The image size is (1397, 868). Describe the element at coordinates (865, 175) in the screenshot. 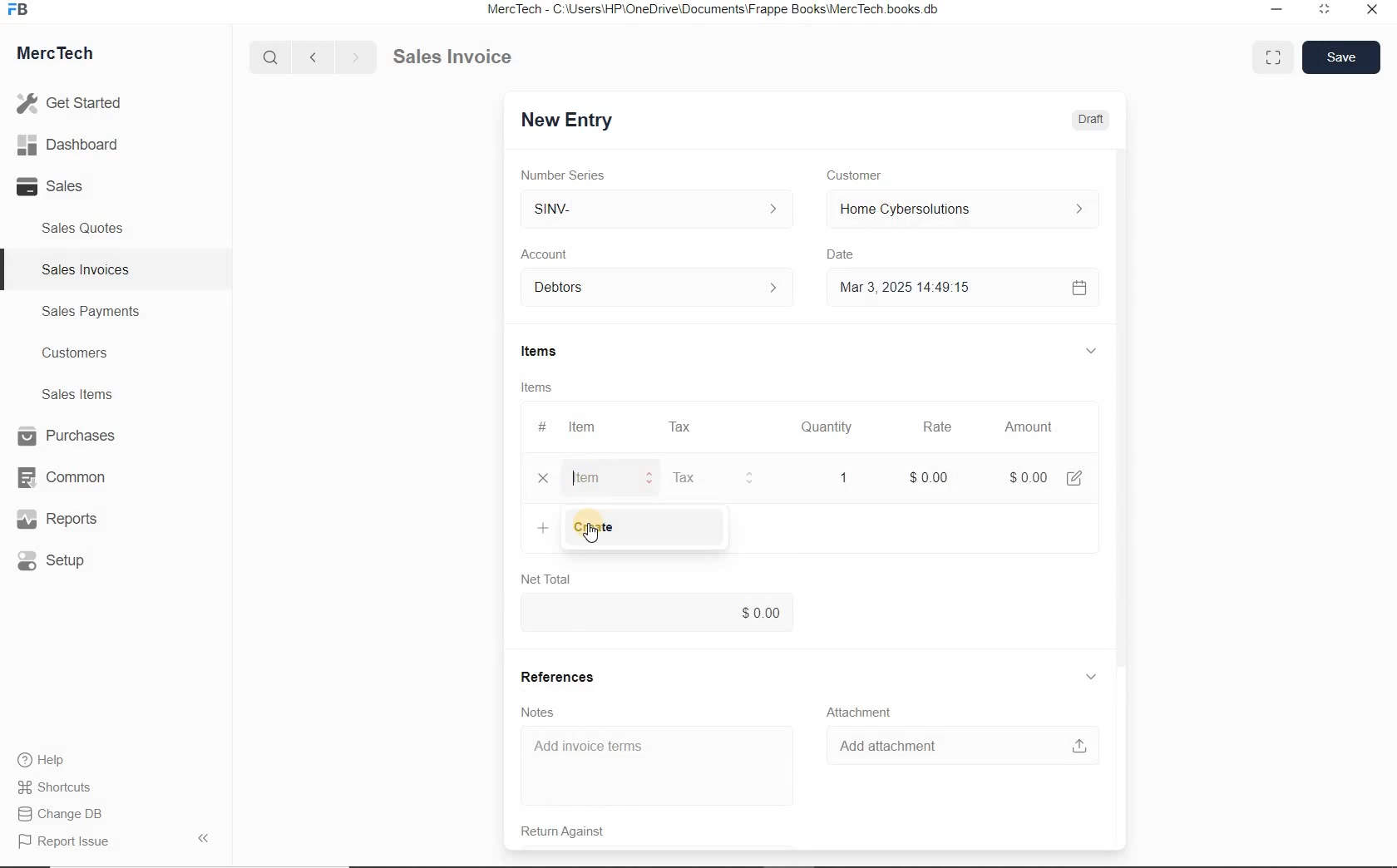

I see `Customer` at that location.